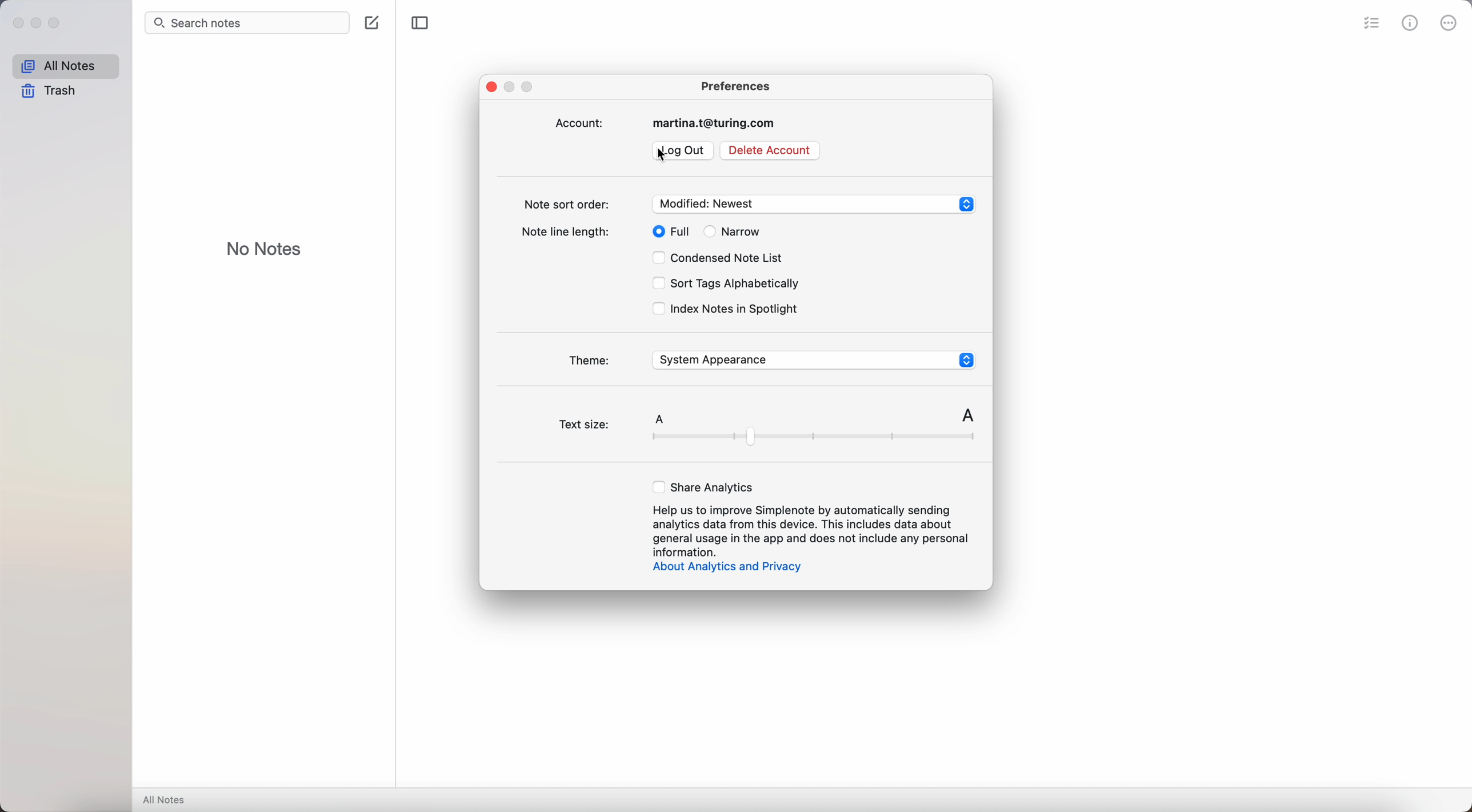  Describe the element at coordinates (813, 201) in the screenshot. I see `Modified: Newest` at that location.